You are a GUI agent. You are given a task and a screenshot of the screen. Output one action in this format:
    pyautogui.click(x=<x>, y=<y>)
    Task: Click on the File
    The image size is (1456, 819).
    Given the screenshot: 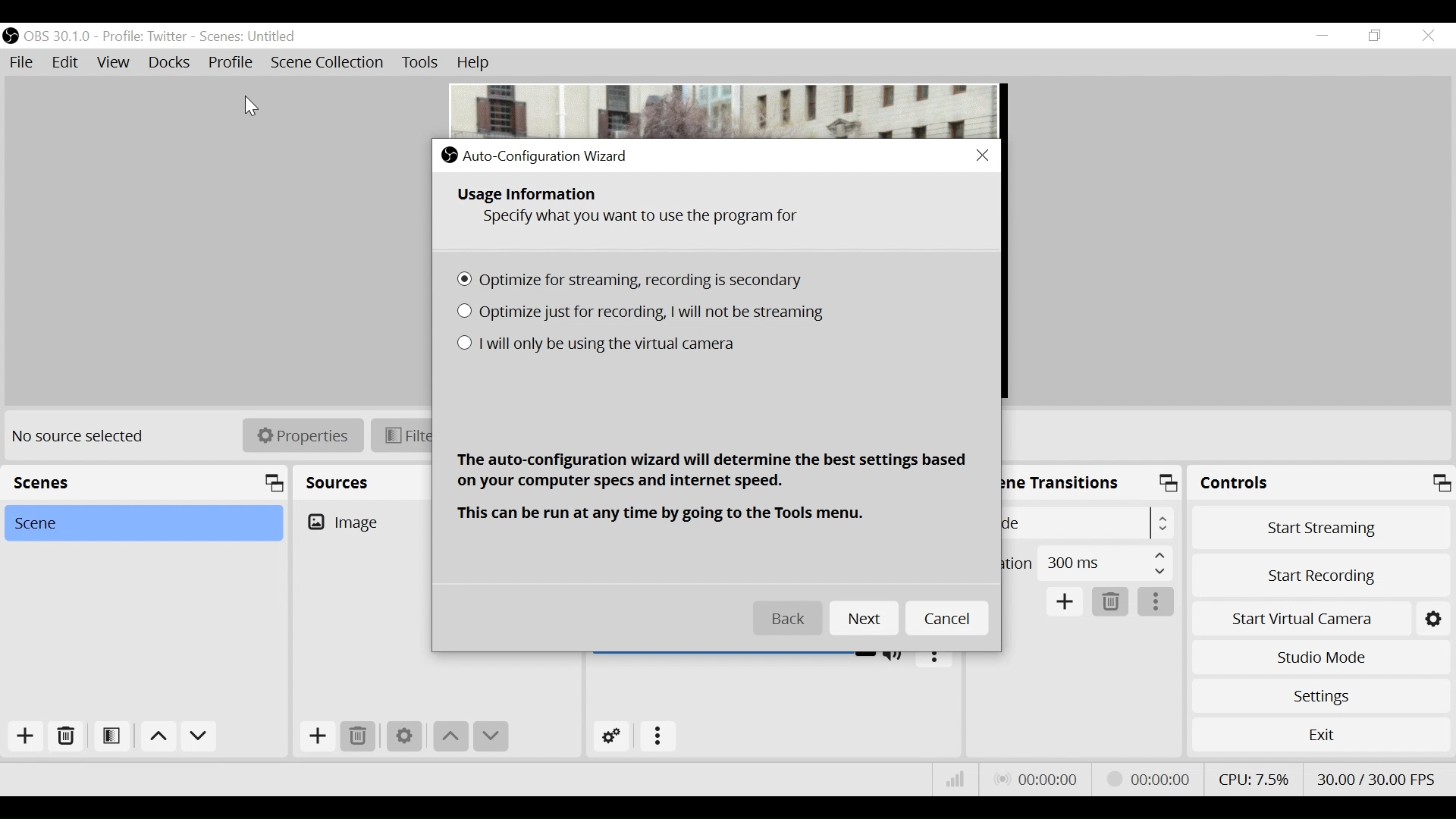 What is the action you would take?
    pyautogui.click(x=24, y=63)
    